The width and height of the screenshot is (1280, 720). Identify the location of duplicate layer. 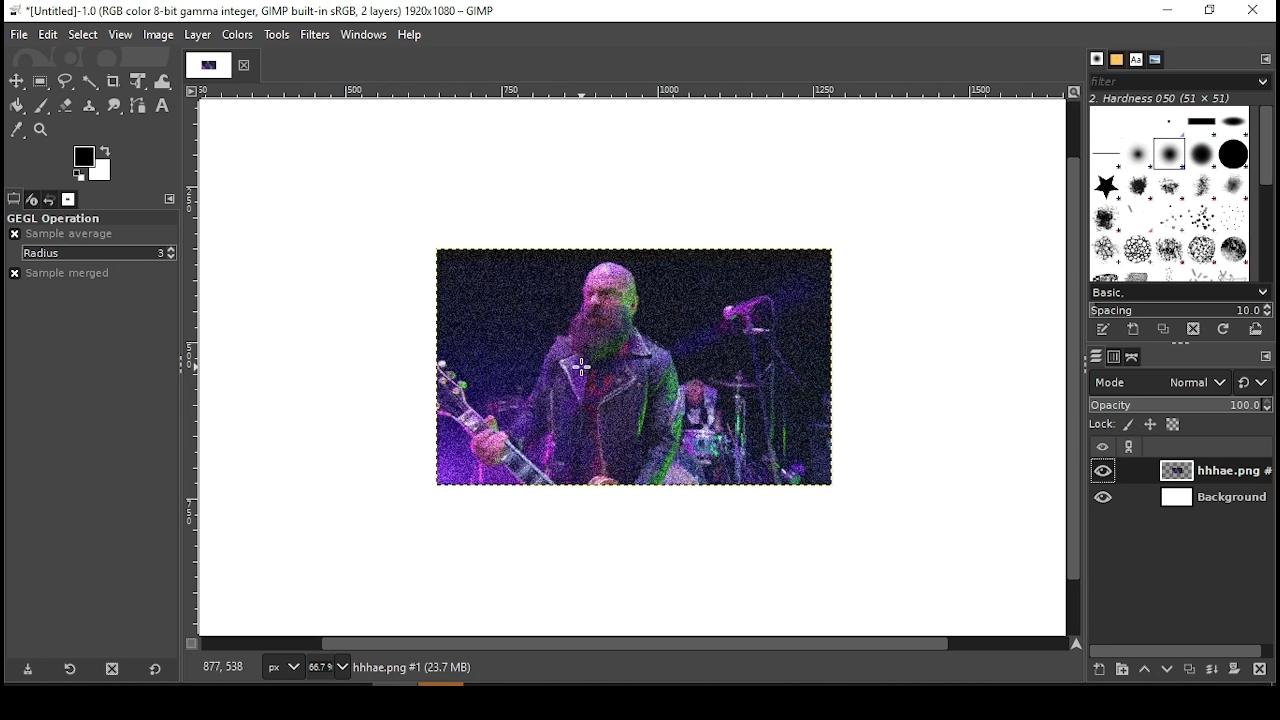
(1192, 670).